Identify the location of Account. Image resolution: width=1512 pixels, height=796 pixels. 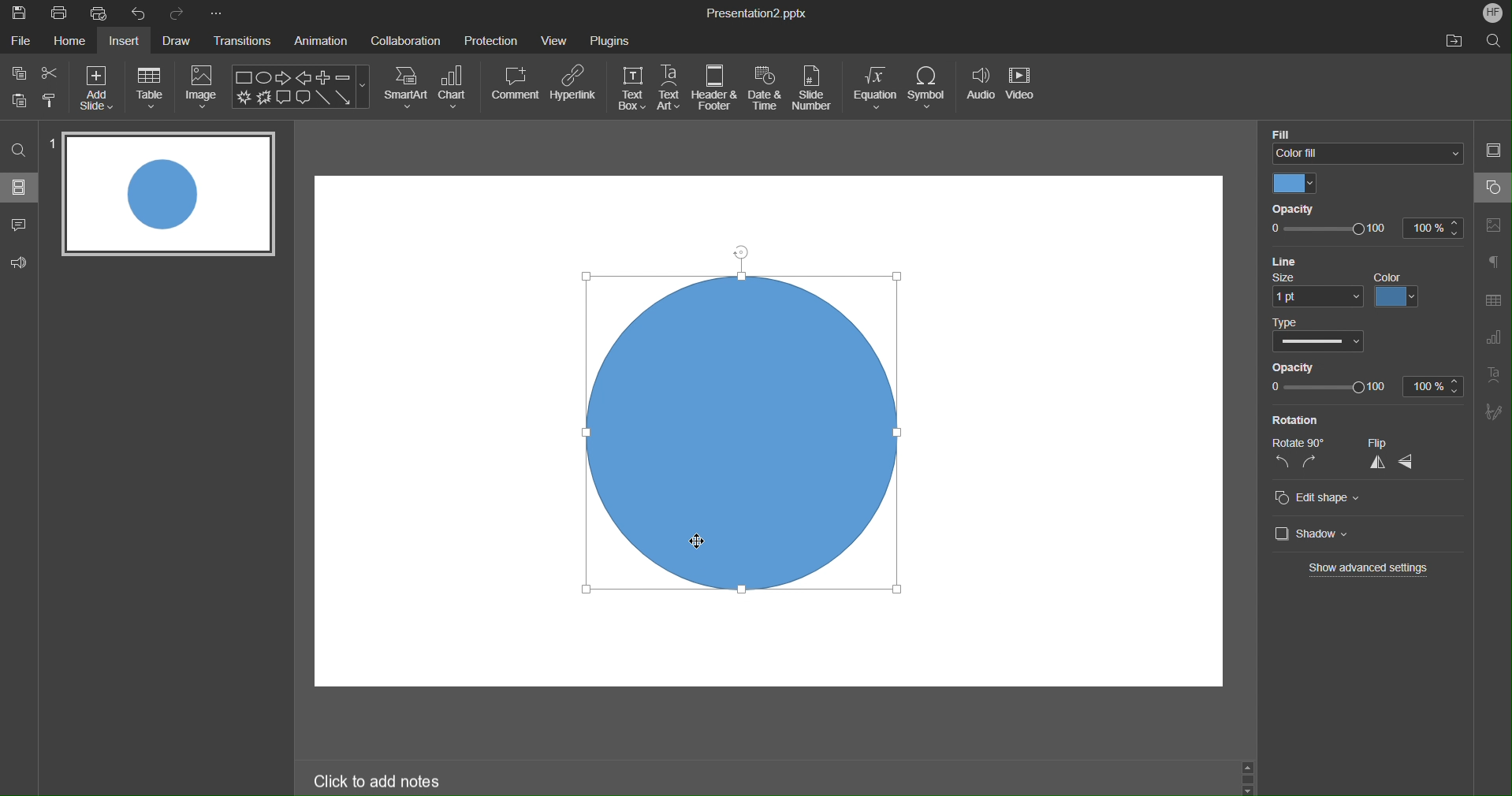
(1490, 12).